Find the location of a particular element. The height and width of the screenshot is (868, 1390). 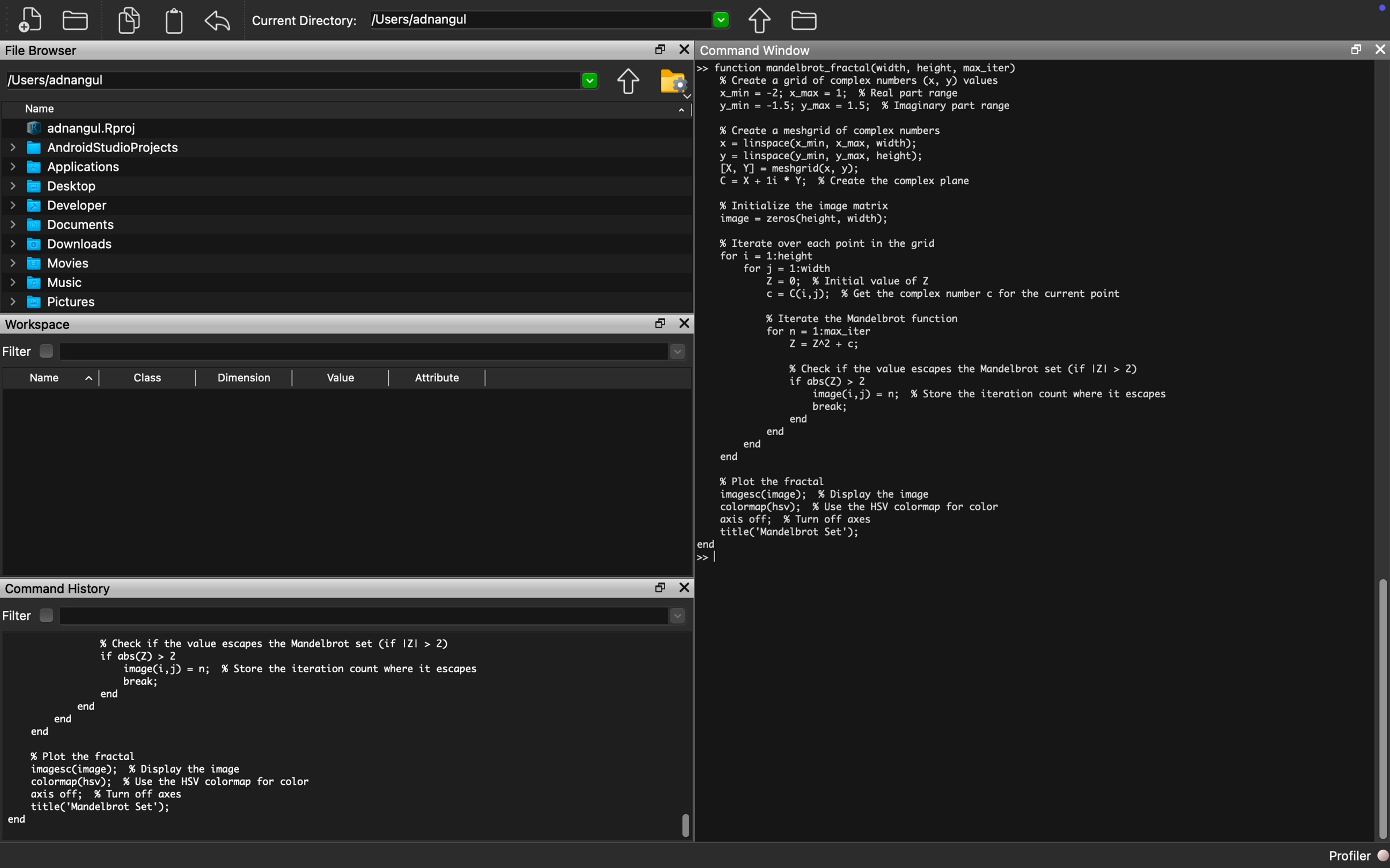

Dropdown is located at coordinates (374, 354).